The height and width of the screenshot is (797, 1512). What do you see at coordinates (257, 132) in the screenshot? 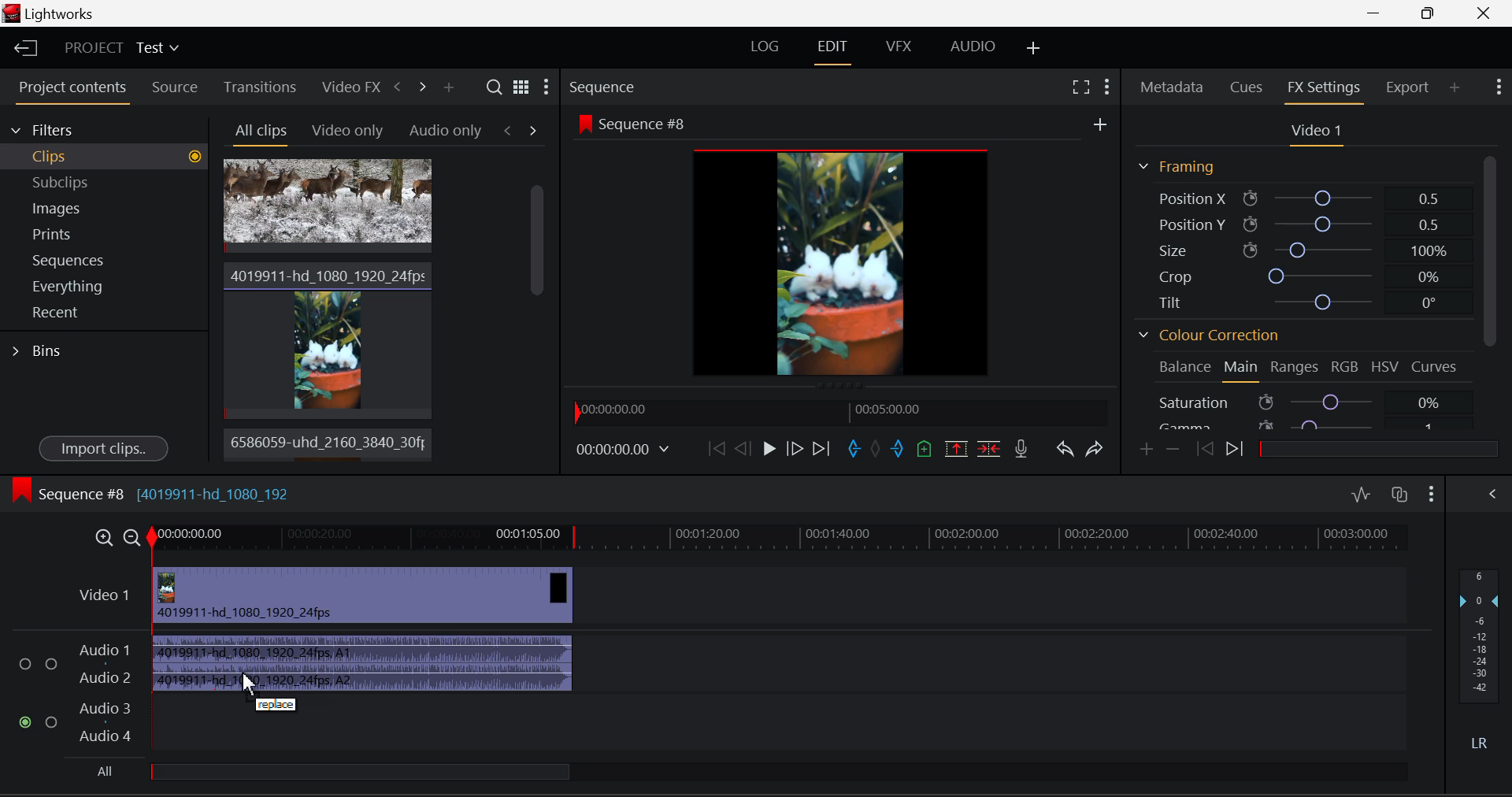
I see `All clips tab open` at bounding box center [257, 132].